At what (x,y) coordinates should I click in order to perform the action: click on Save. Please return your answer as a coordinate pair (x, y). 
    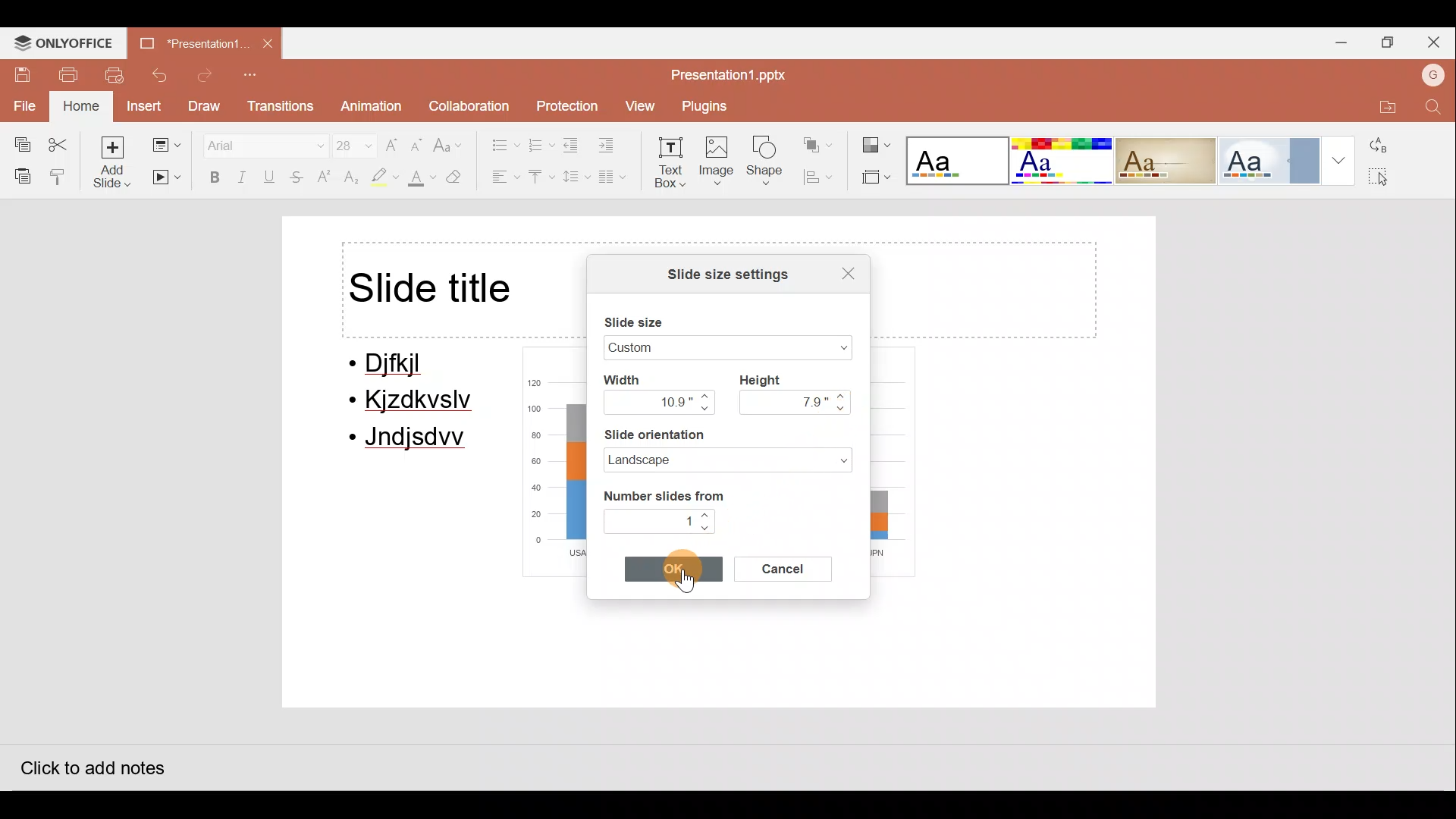
    Looking at the image, I should click on (20, 73).